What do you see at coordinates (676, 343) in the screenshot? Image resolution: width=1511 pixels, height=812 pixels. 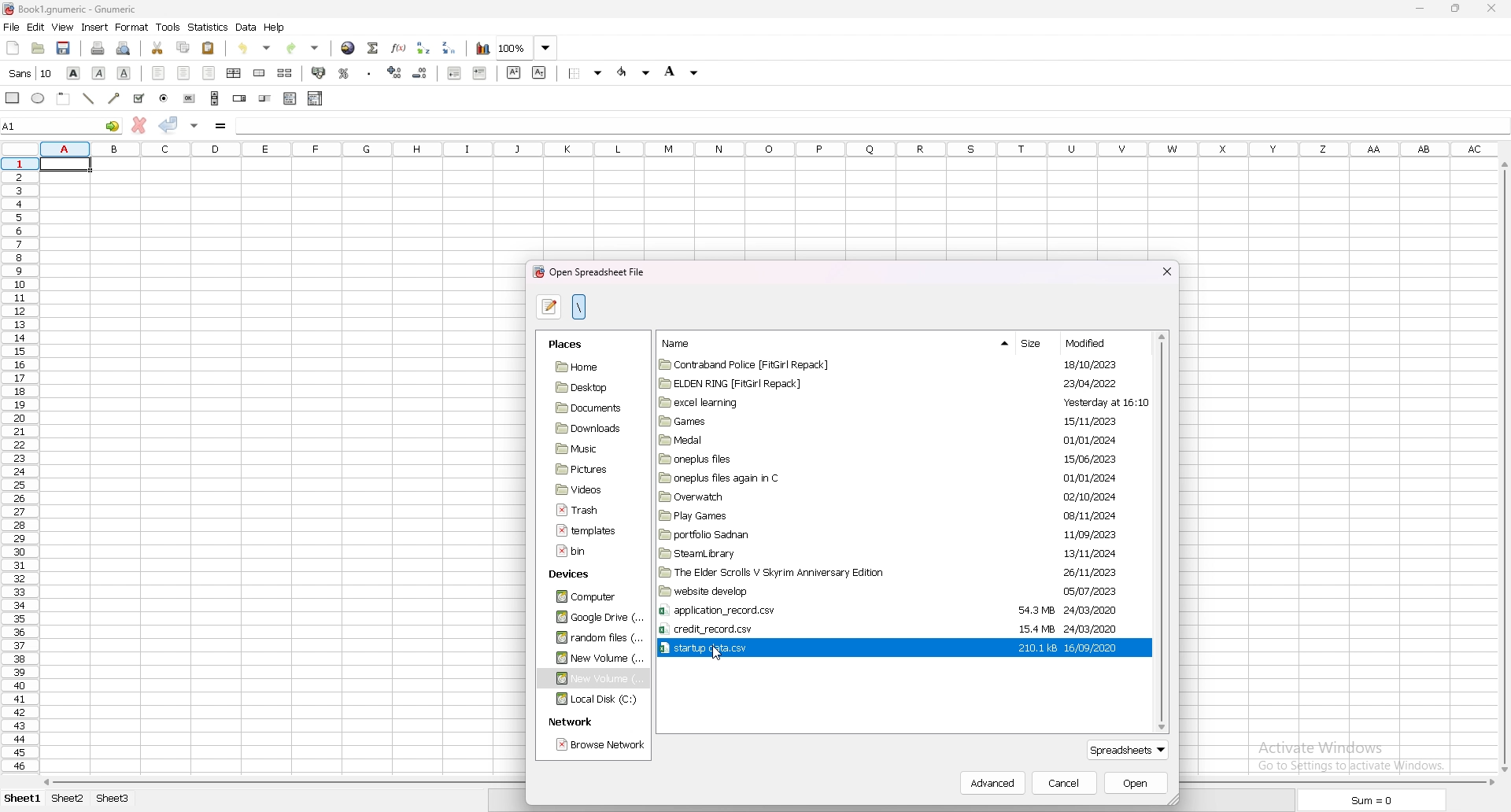 I see `name` at bounding box center [676, 343].